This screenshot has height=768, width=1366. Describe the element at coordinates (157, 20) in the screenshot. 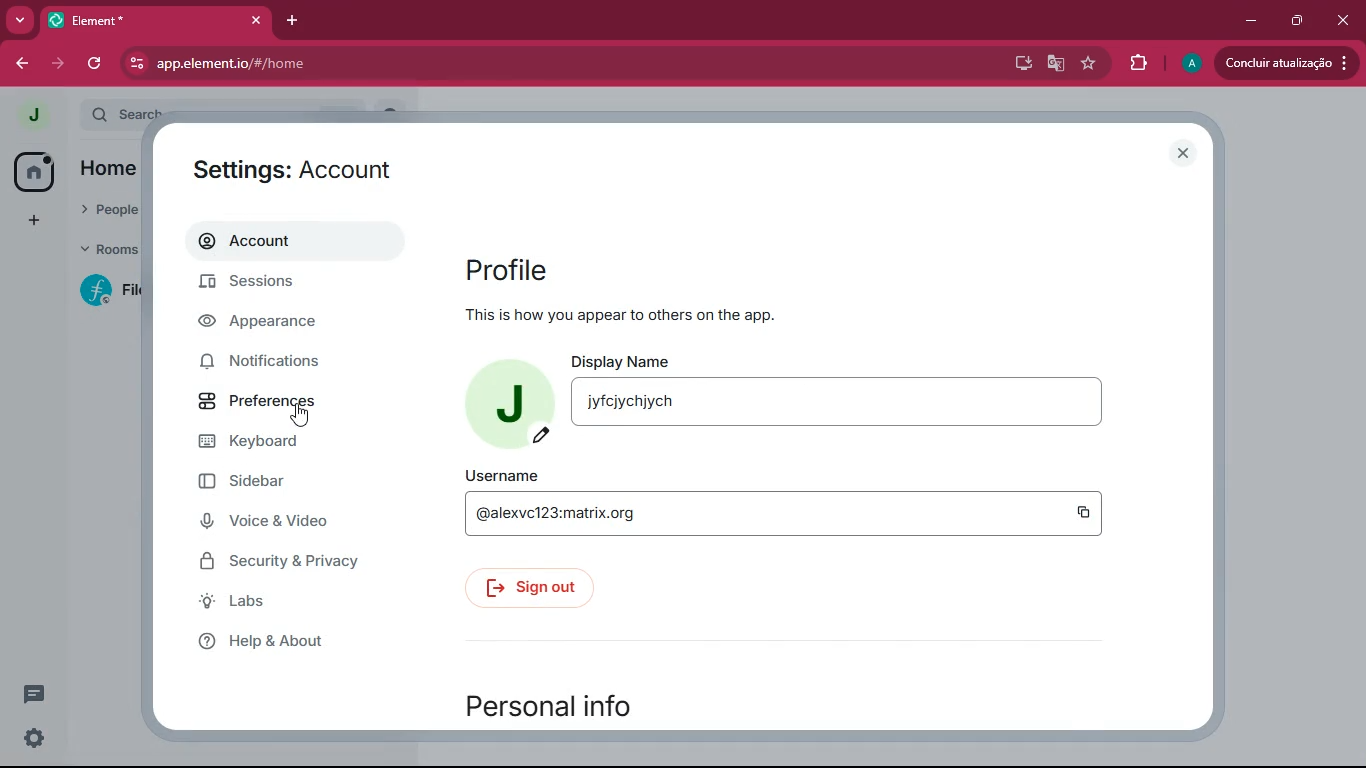

I see `tab` at that location.